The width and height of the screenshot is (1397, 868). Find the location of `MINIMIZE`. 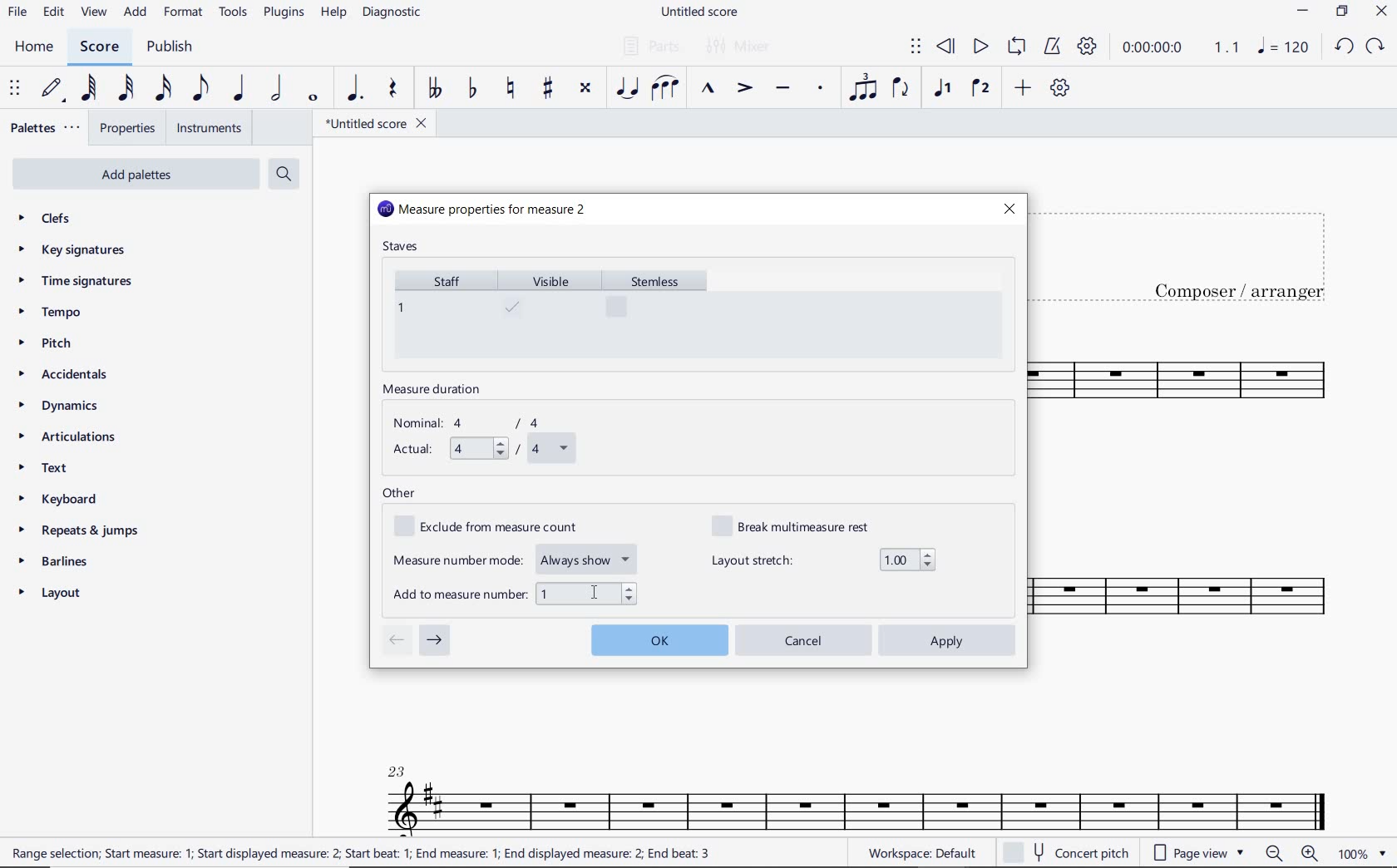

MINIMIZE is located at coordinates (1304, 13).